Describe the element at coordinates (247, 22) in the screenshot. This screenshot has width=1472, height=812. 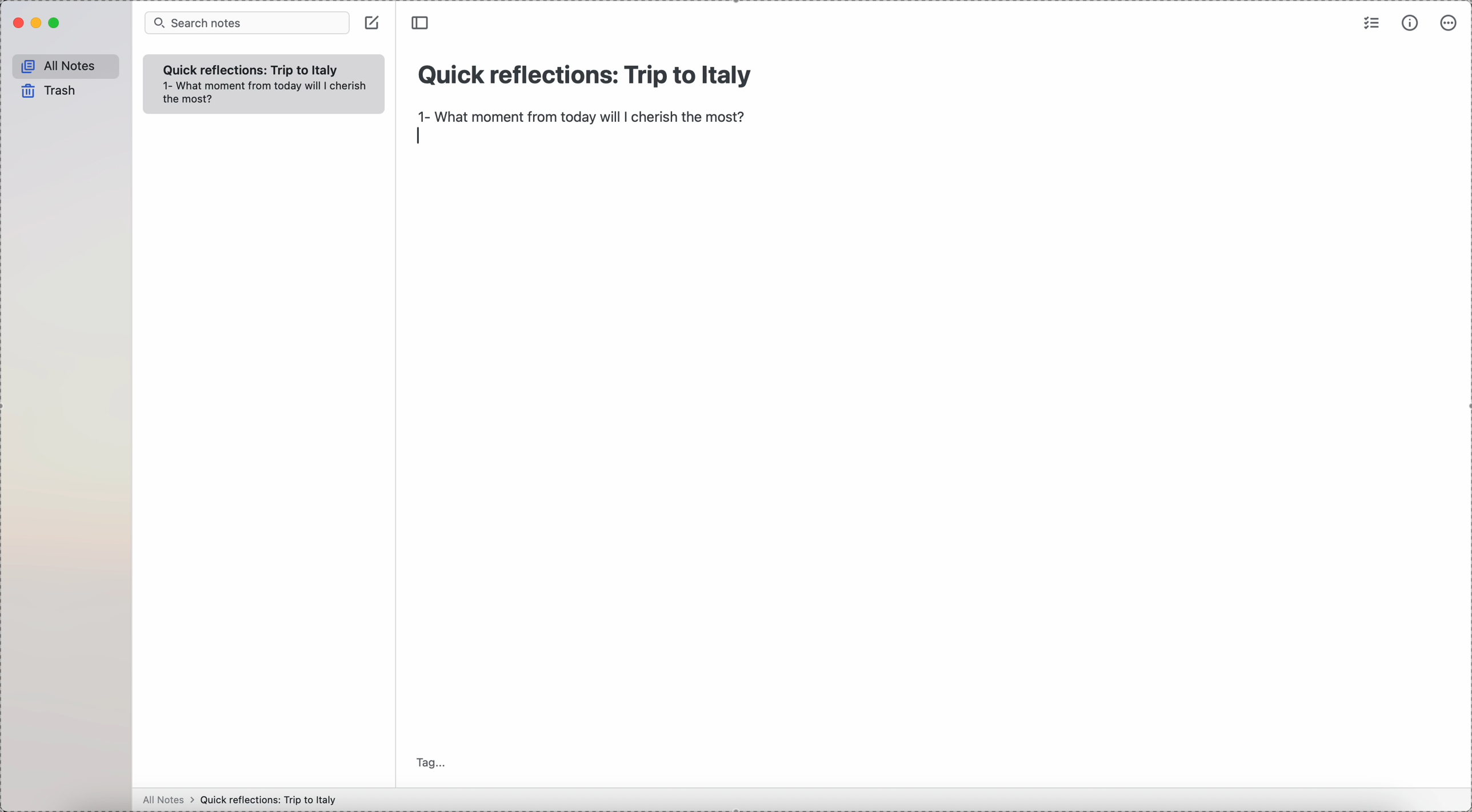
I see `search bar` at that location.